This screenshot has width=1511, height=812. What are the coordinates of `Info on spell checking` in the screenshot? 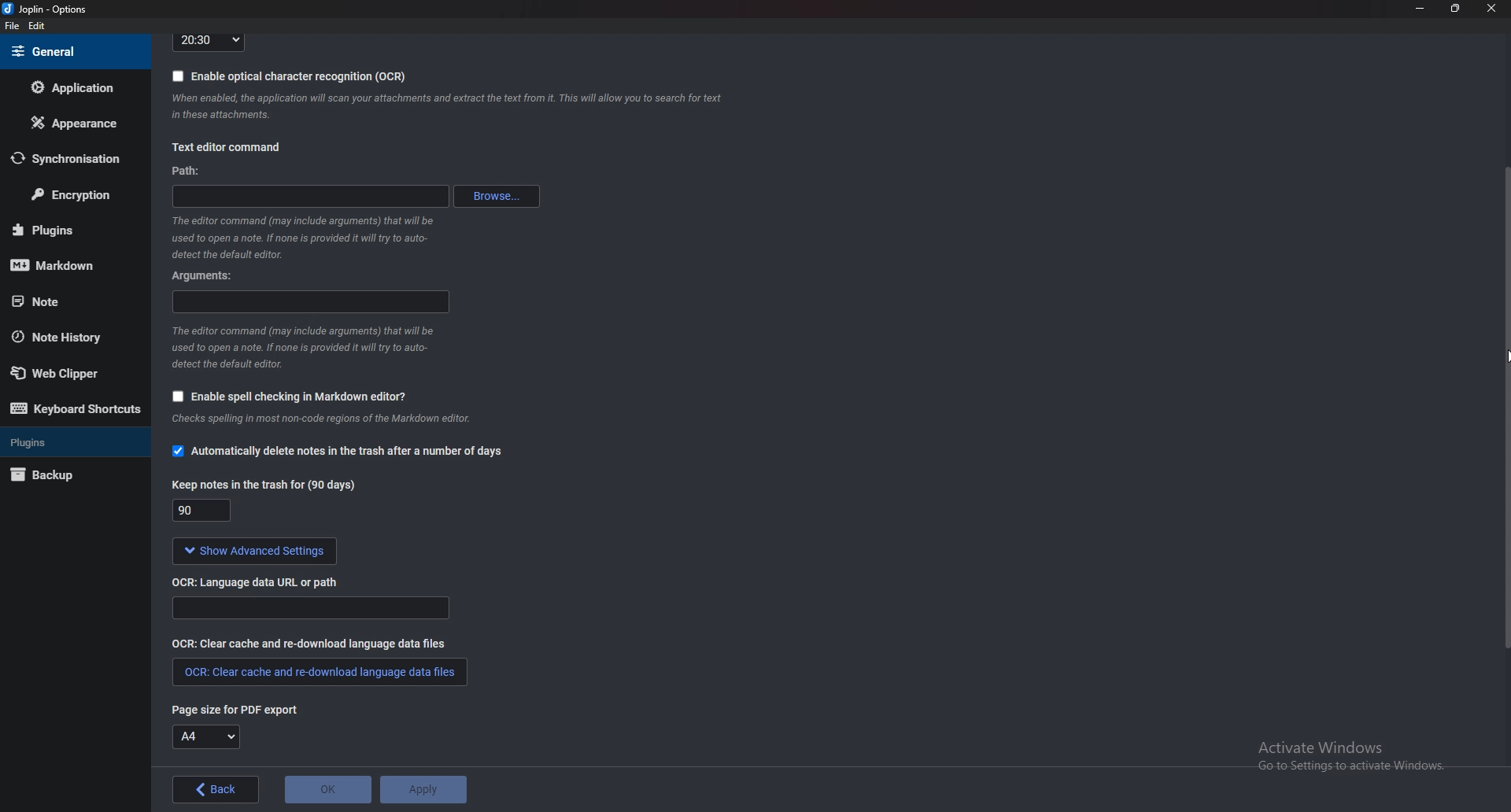 It's located at (319, 423).